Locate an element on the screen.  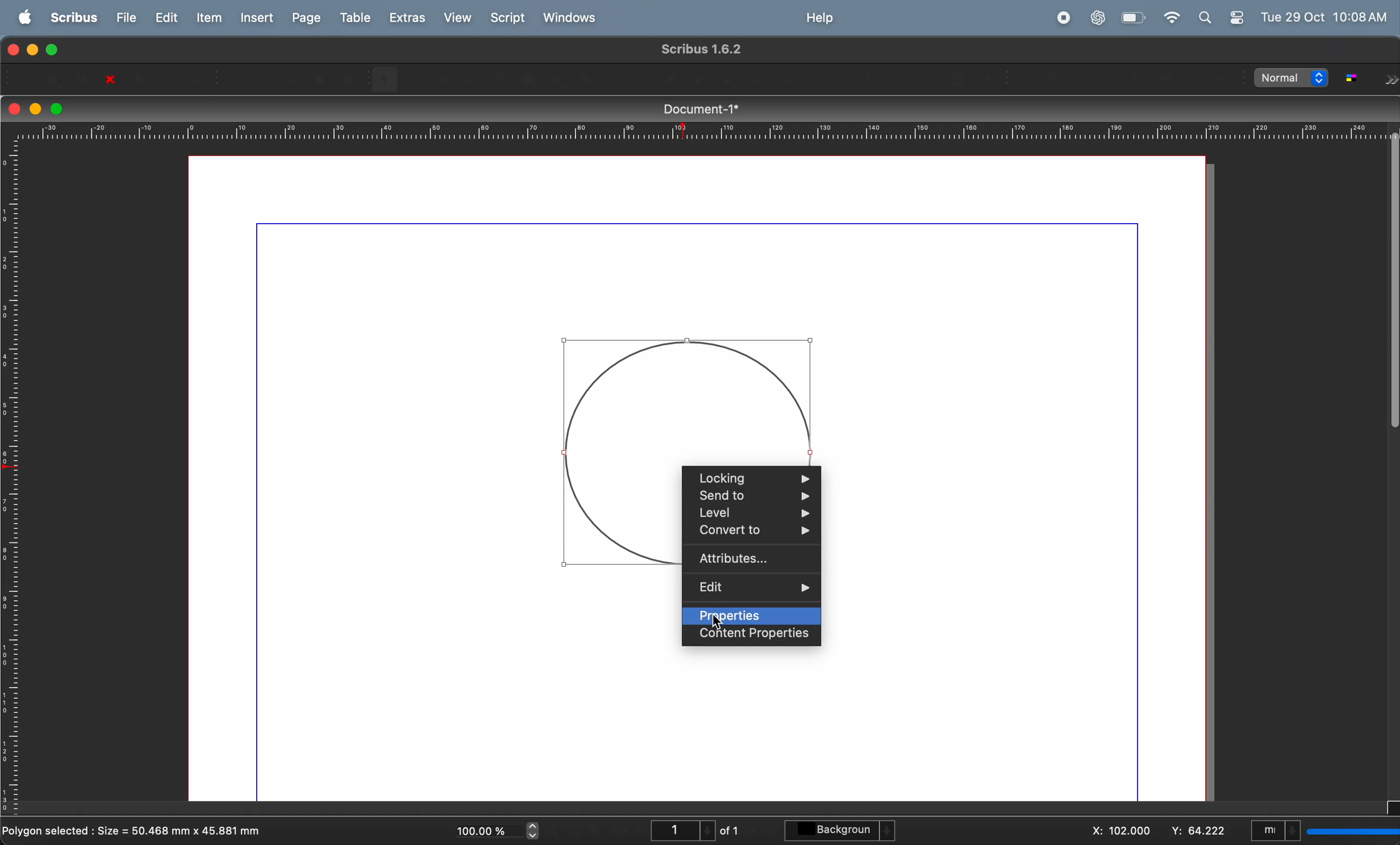
Script is located at coordinates (510, 18).